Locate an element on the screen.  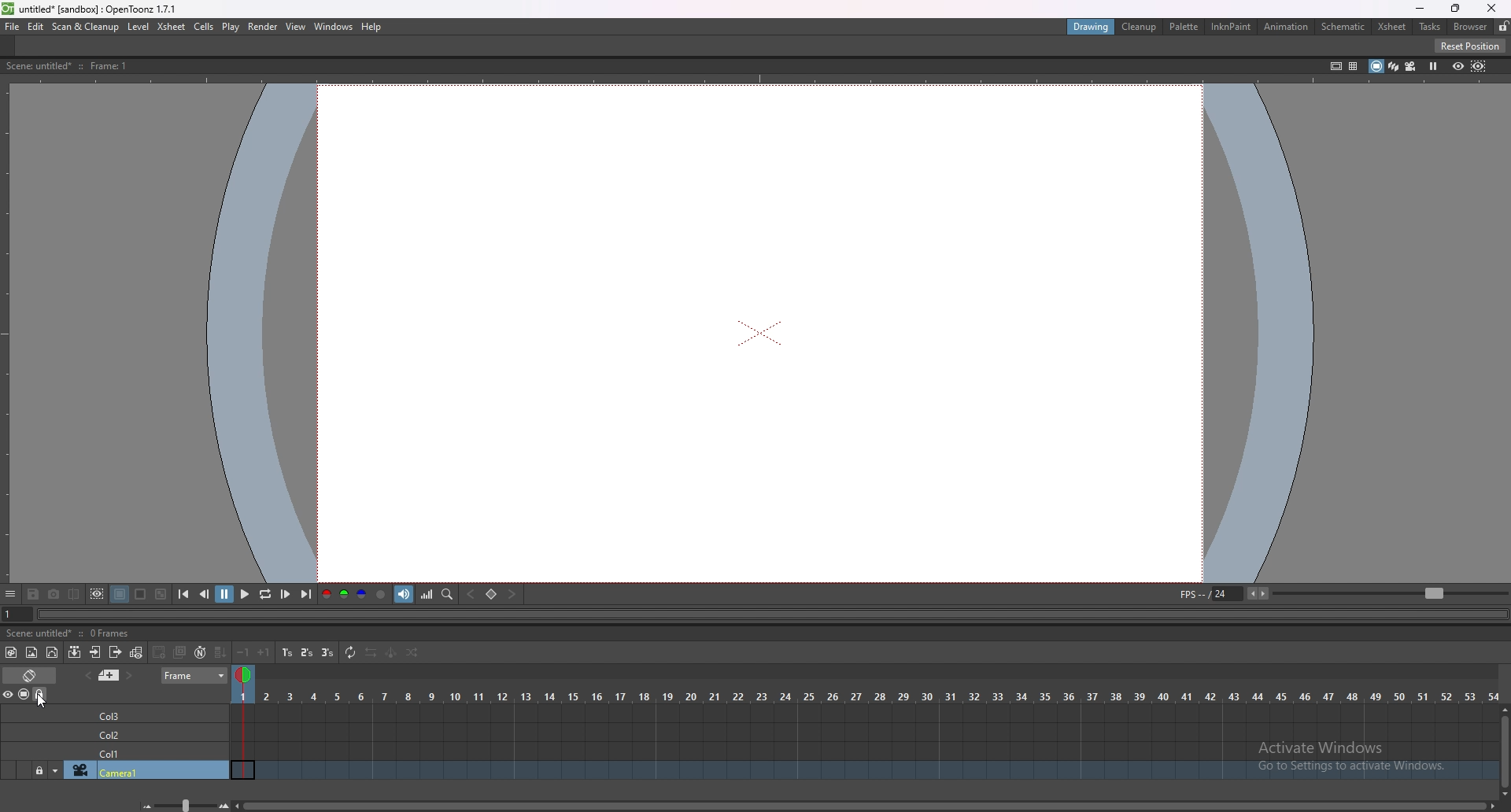
set is located at coordinates (491, 594).